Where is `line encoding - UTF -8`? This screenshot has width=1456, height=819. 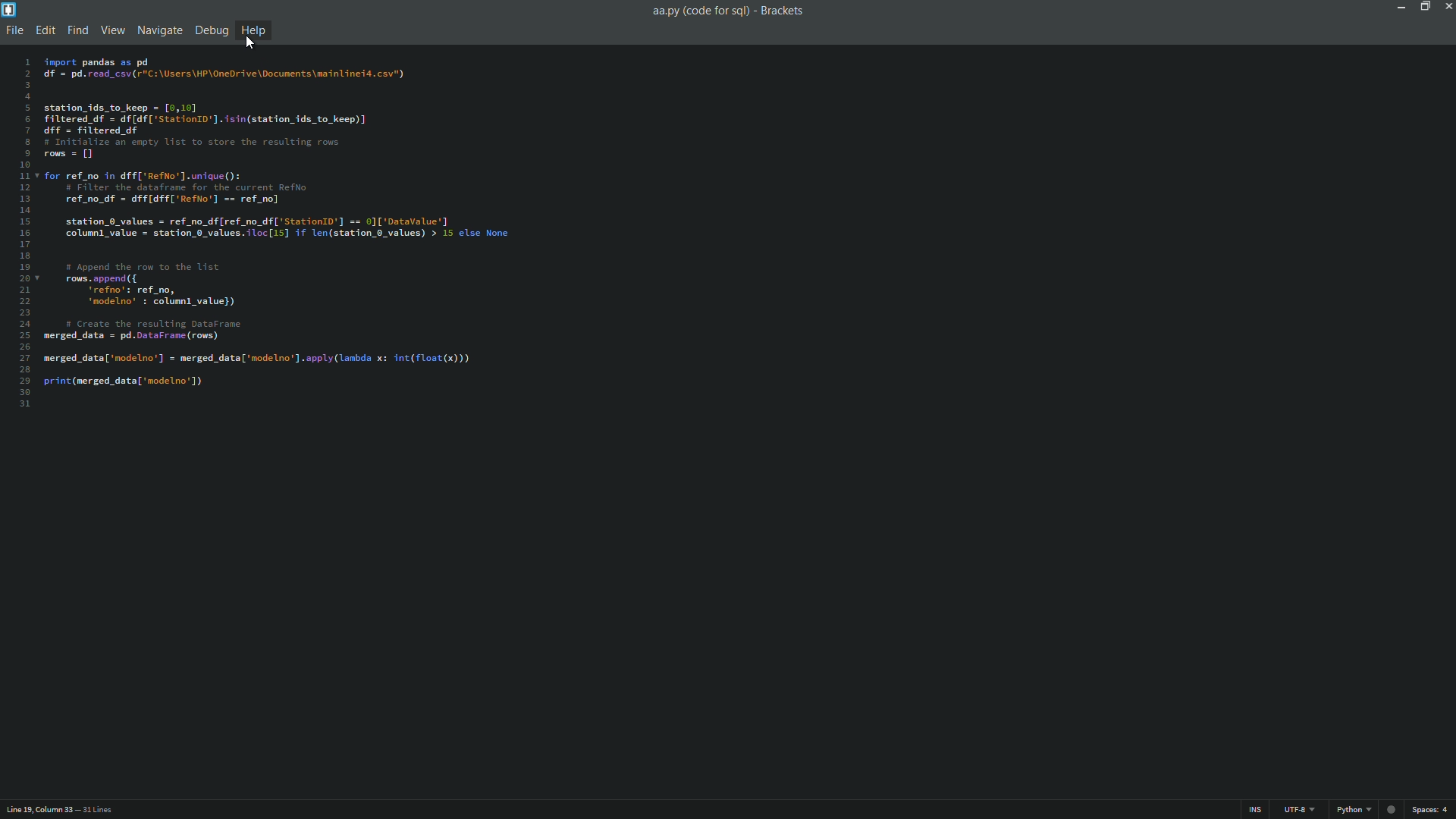 line encoding - UTF -8 is located at coordinates (1298, 808).